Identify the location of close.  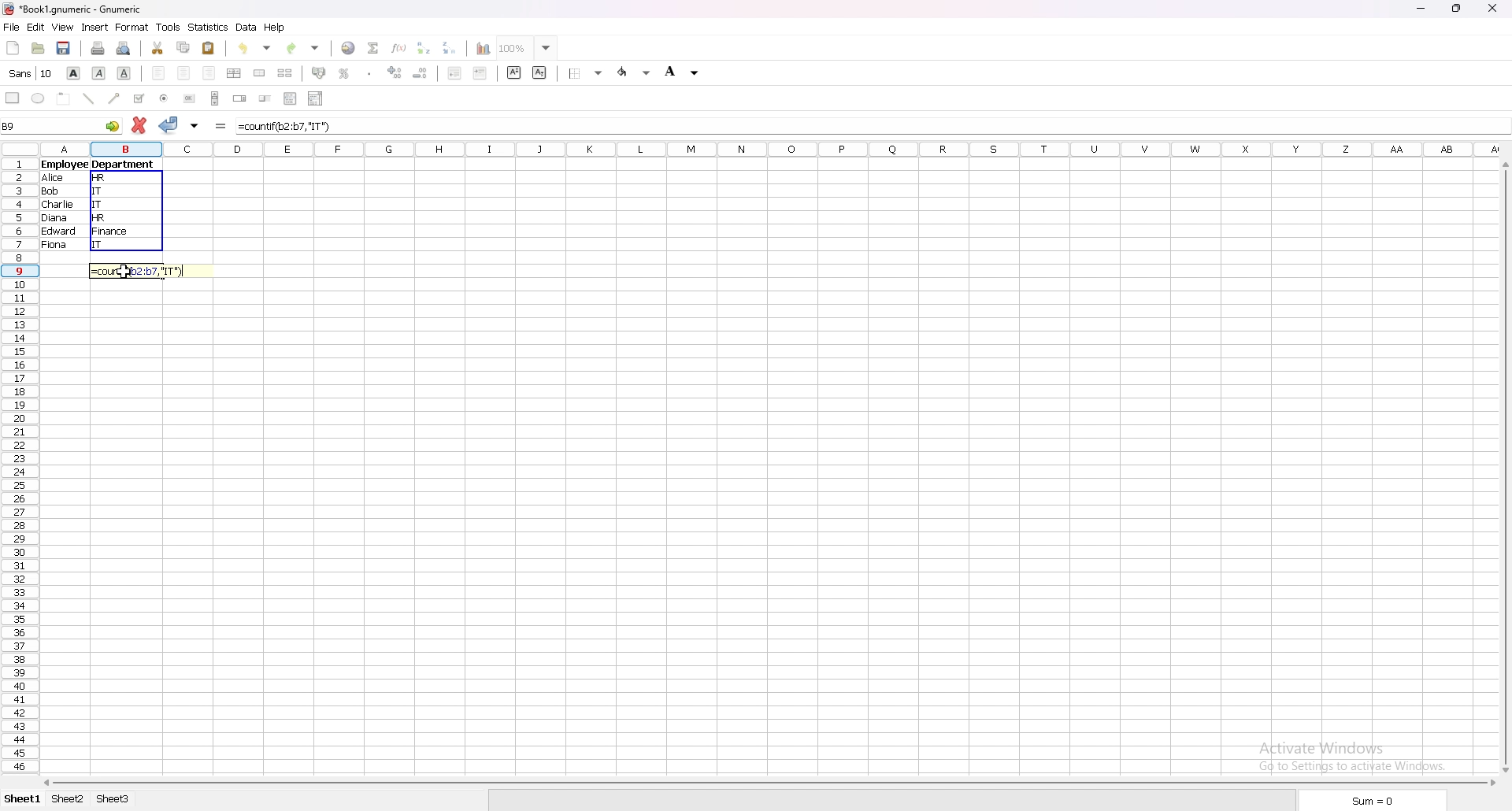
(1494, 8).